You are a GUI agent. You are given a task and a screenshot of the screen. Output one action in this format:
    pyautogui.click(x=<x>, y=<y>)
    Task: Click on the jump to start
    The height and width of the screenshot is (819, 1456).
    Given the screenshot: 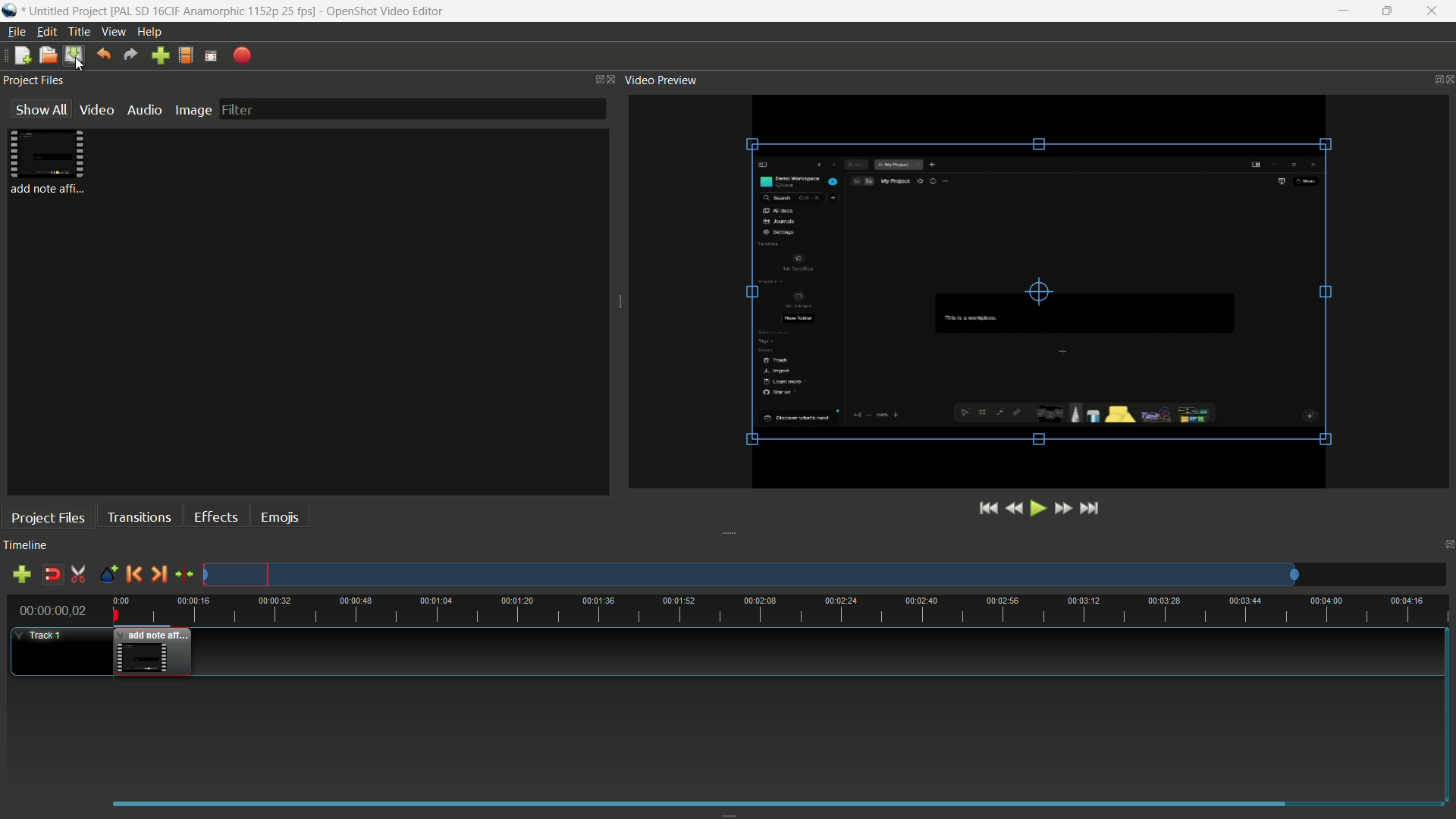 What is the action you would take?
    pyautogui.click(x=989, y=509)
    